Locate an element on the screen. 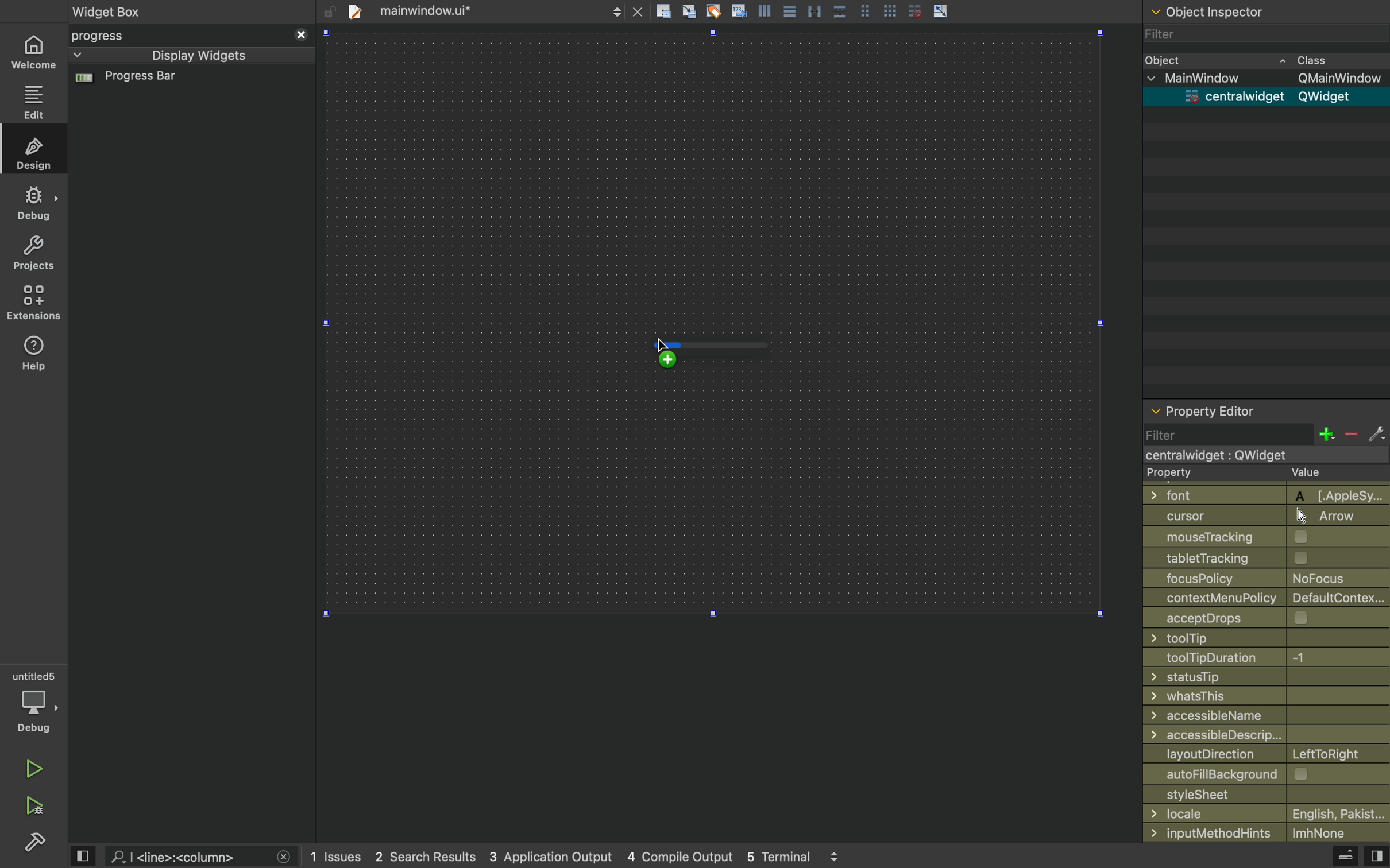 Image resolution: width=1390 pixels, height=868 pixels. object is located at coordinates (1254, 59).